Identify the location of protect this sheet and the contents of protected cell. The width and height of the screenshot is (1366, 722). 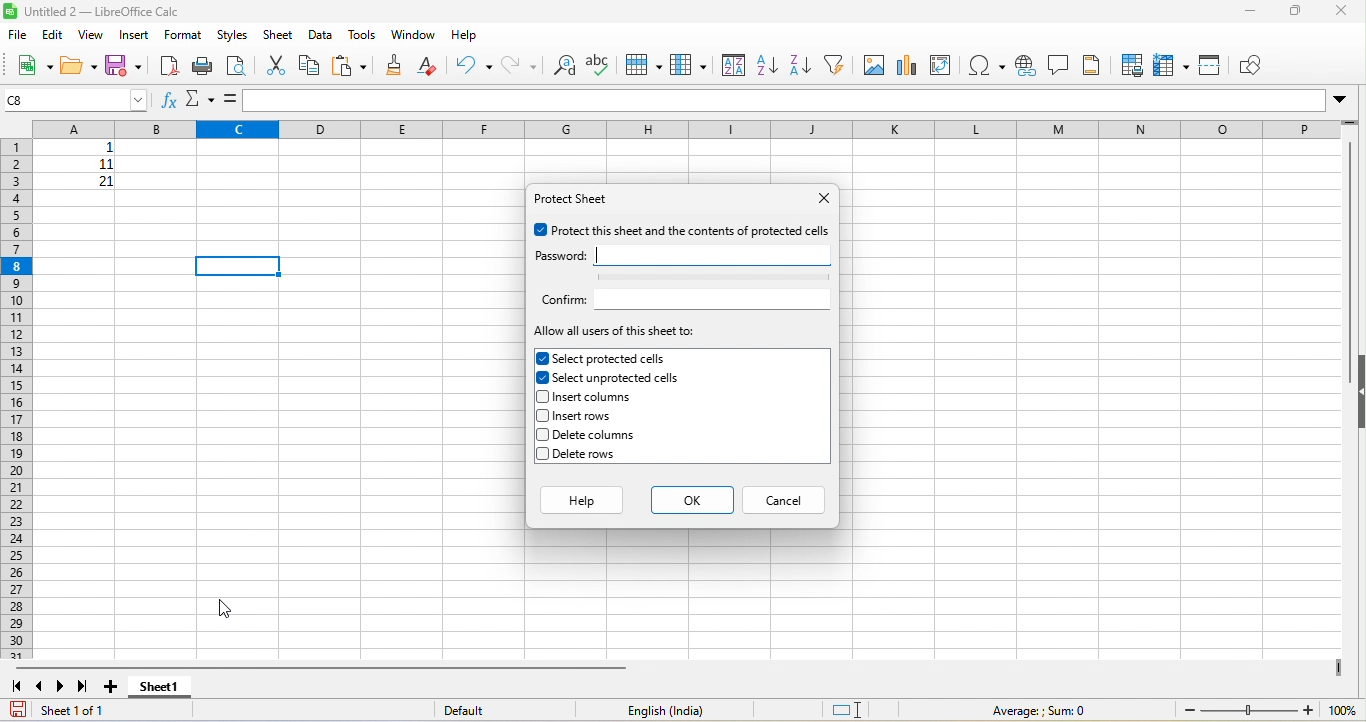
(682, 230).